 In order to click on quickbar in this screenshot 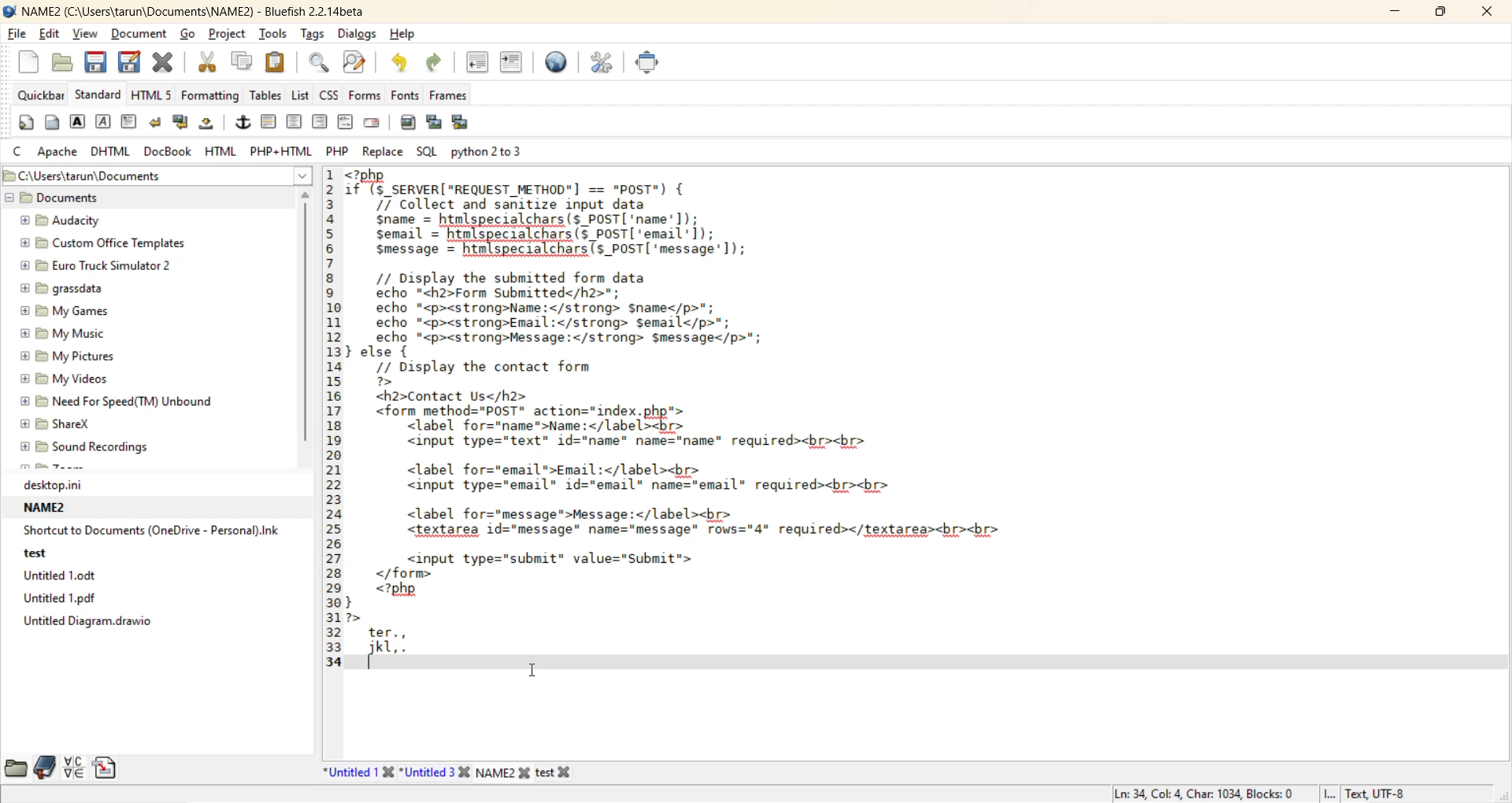, I will do `click(42, 95)`.